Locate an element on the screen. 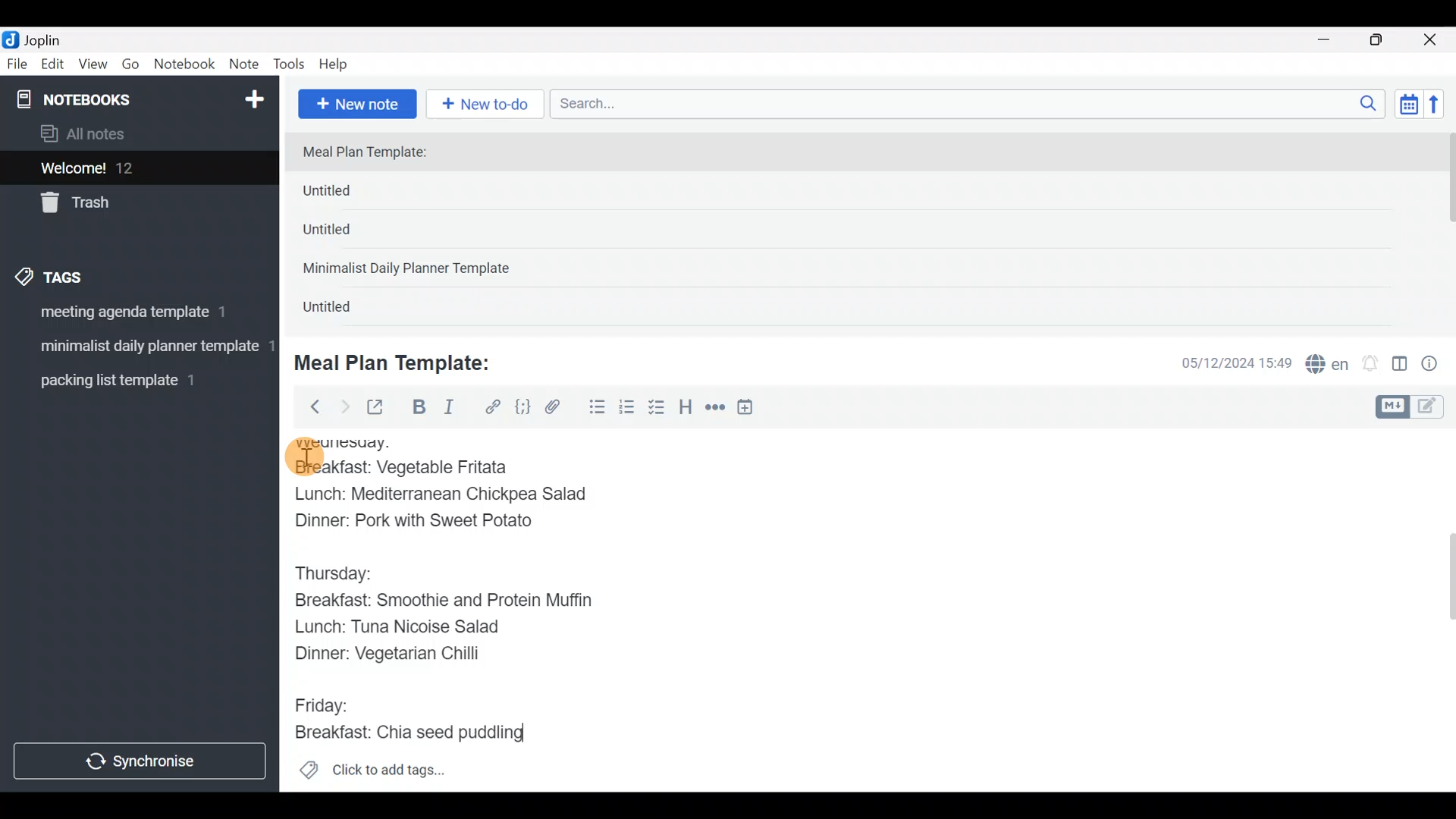 The width and height of the screenshot is (1456, 819). Untitled is located at coordinates (347, 234).